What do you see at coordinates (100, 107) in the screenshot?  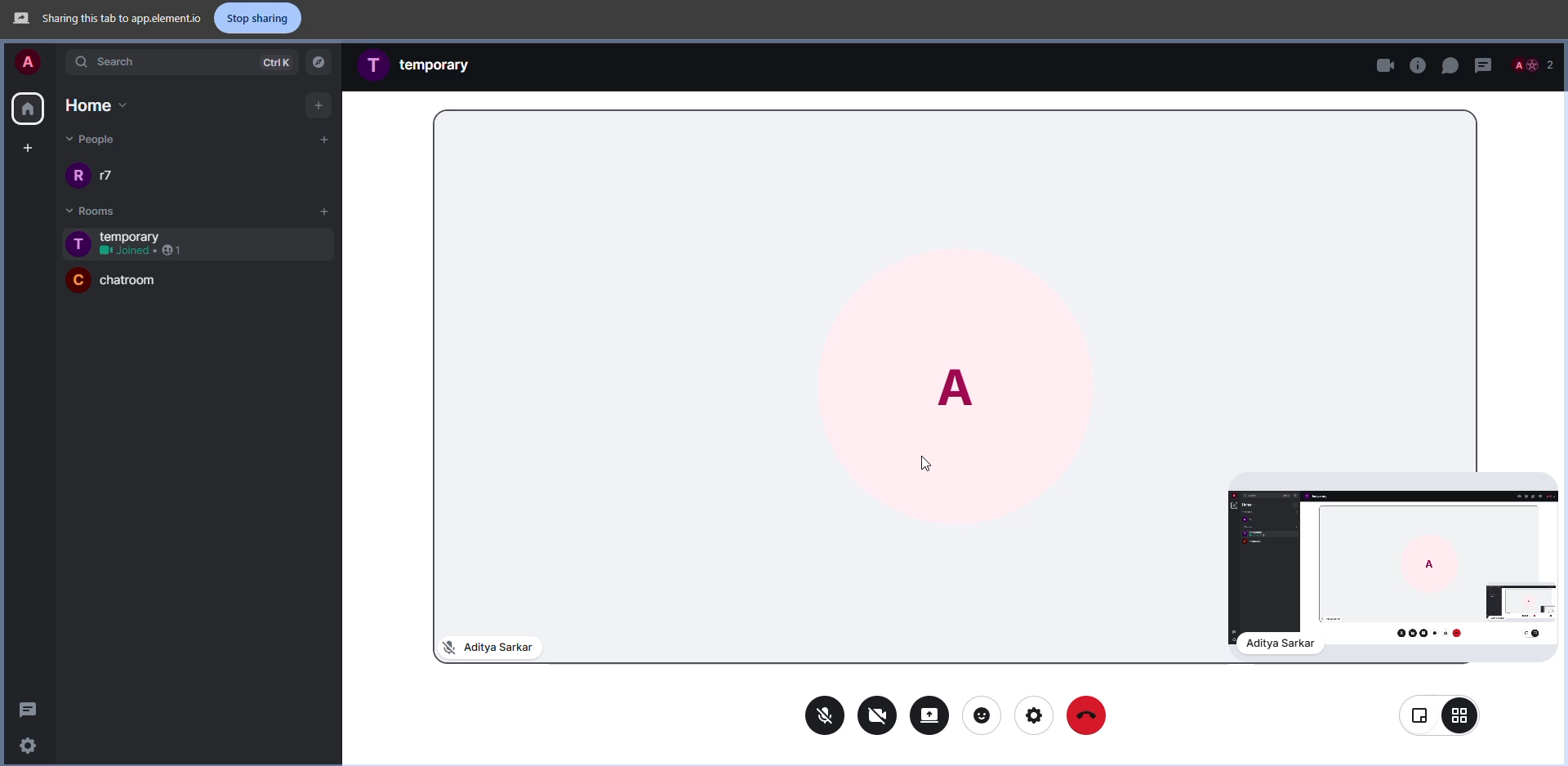 I see `home` at bounding box center [100, 107].